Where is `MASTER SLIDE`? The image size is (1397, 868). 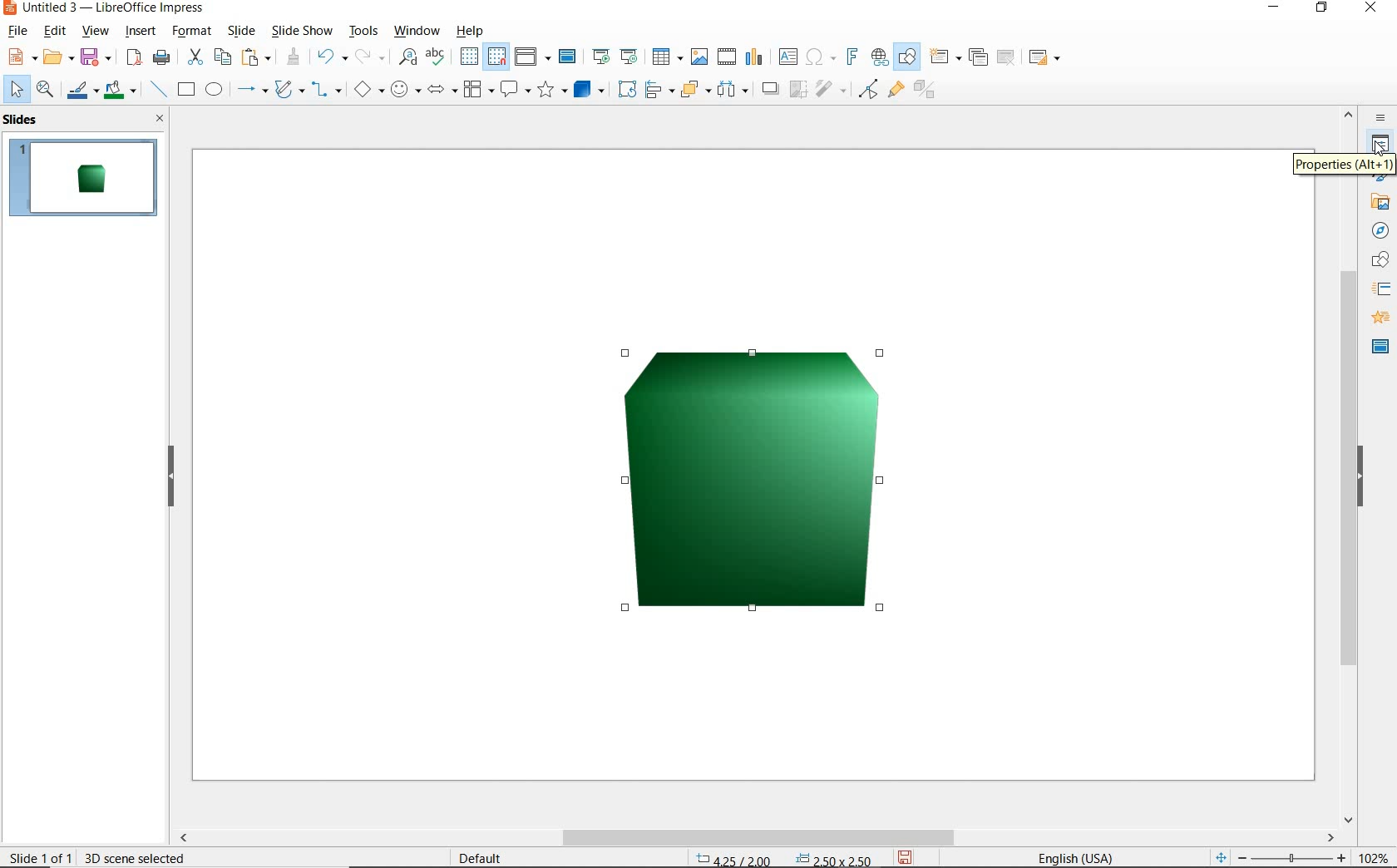 MASTER SLIDE is located at coordinates (1378, 348).